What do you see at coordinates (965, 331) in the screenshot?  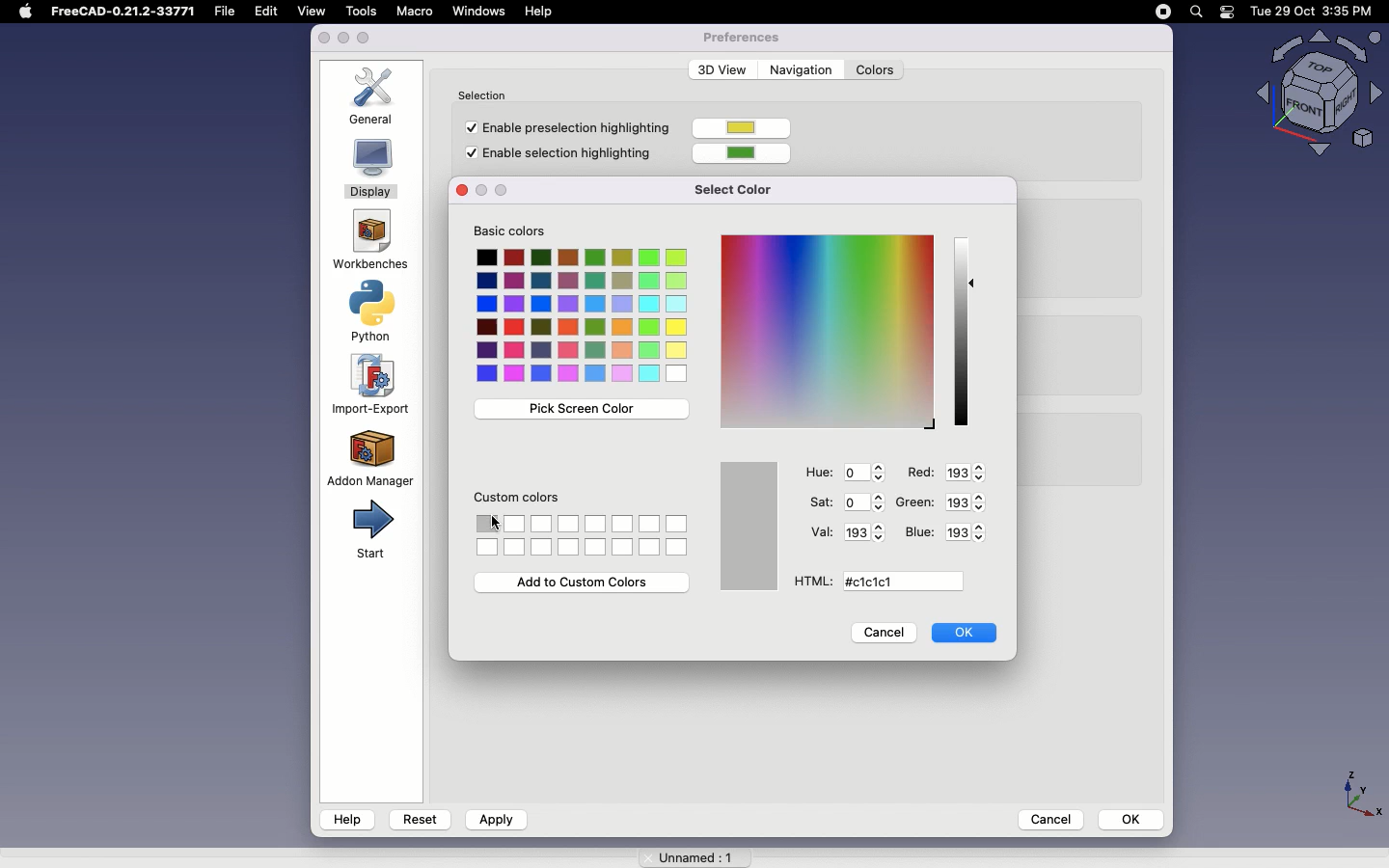 I see `Light/dark` at bounding box center [965, 331].